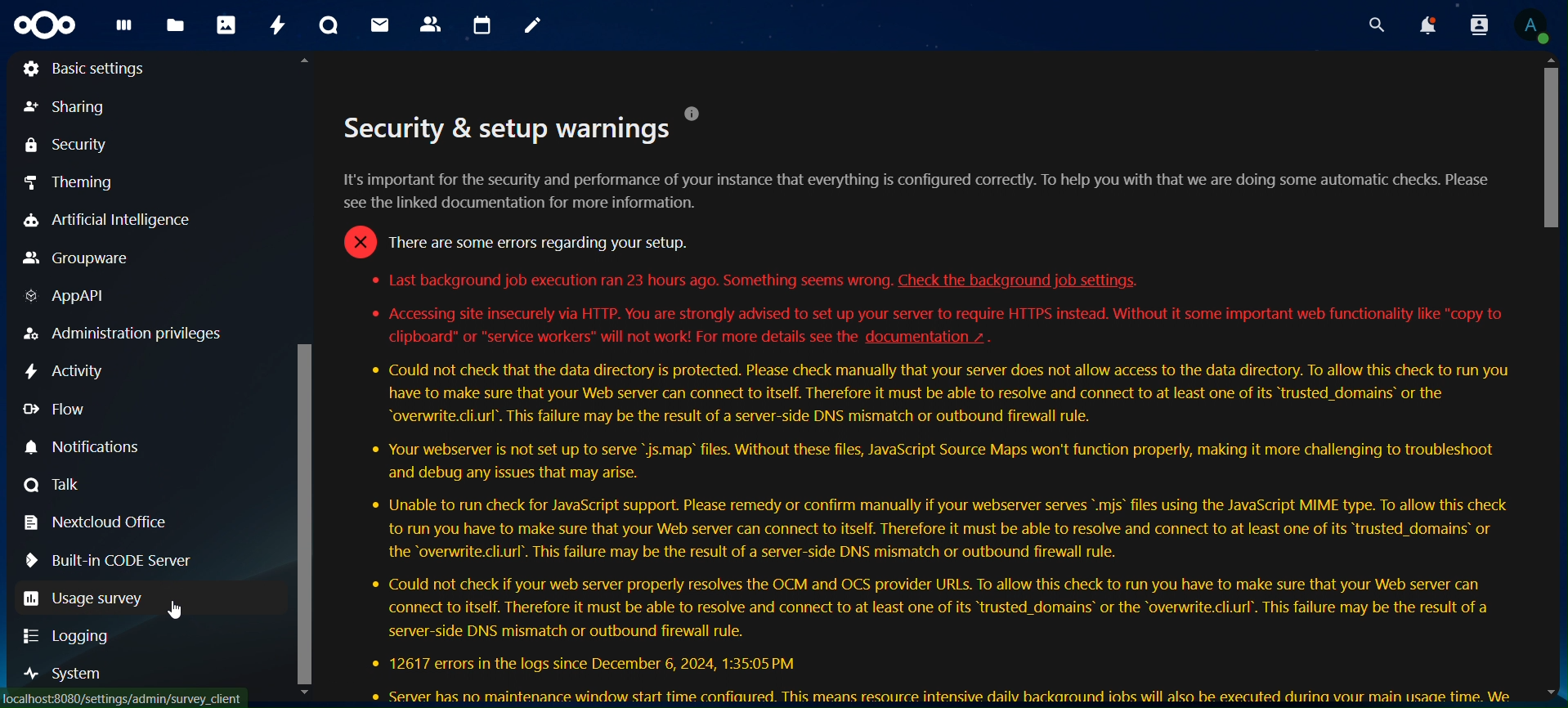 This screenshot has height=708, width=1568. I want to click on artificial intelligence, so click(123, 221).